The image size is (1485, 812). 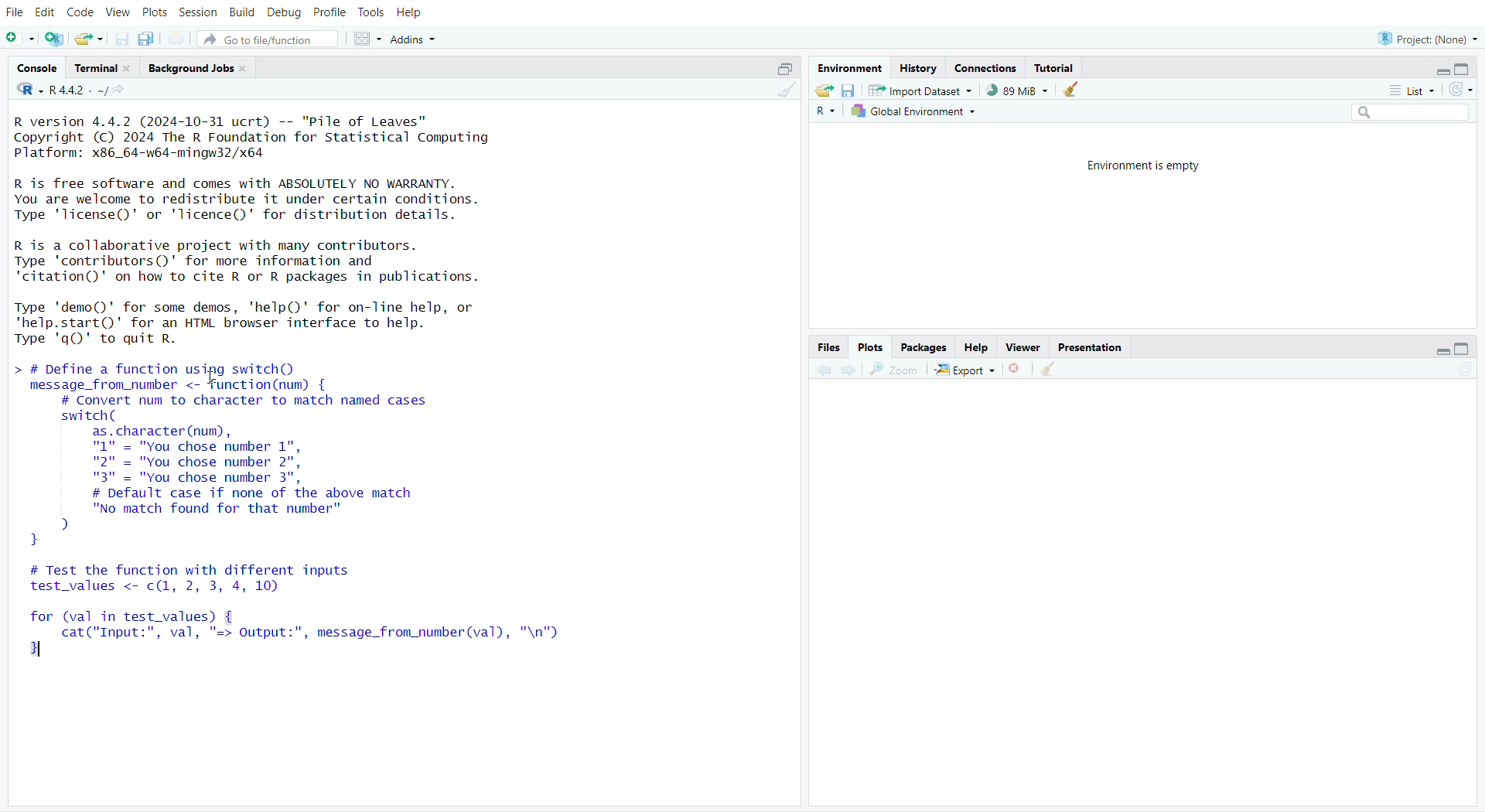 What do you see at coordinates (780, 70) in the screenshot?
I see `Maximize` at bounding box center [780, 70].